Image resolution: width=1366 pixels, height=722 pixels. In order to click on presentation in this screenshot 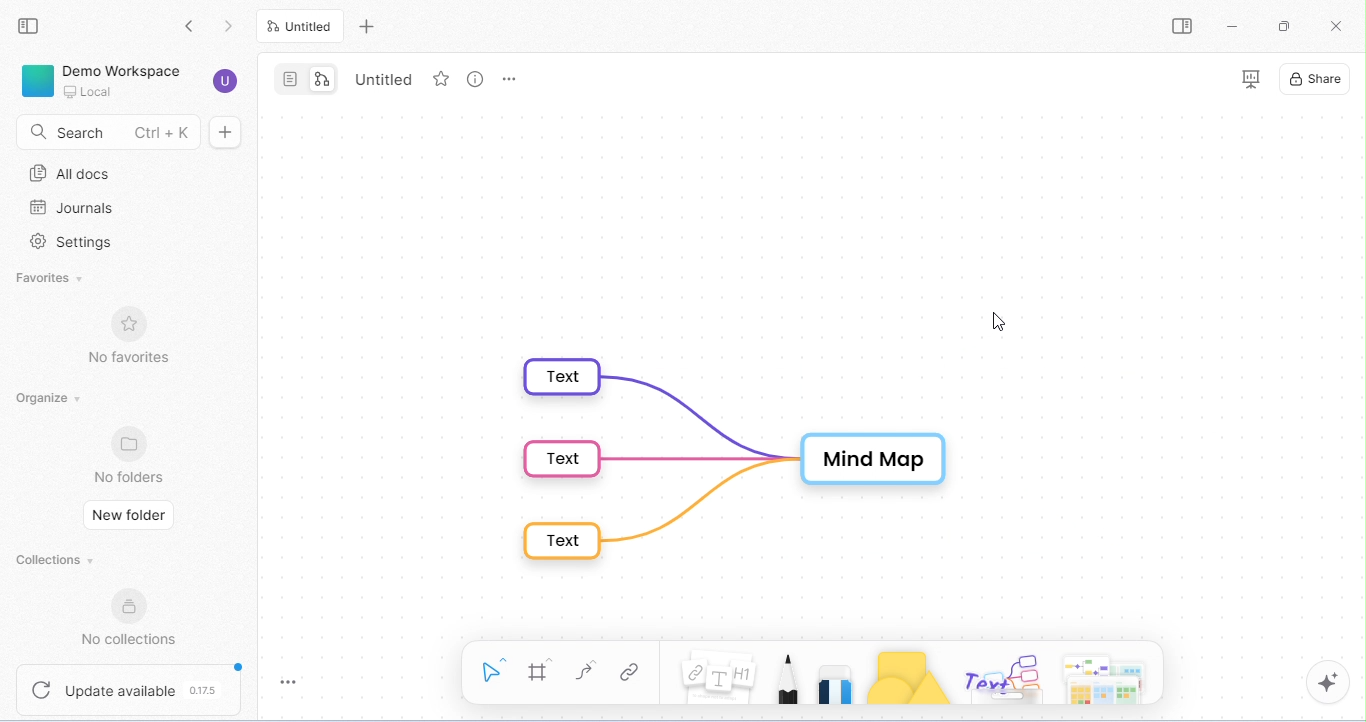, I will do `click(1246, 79)`.